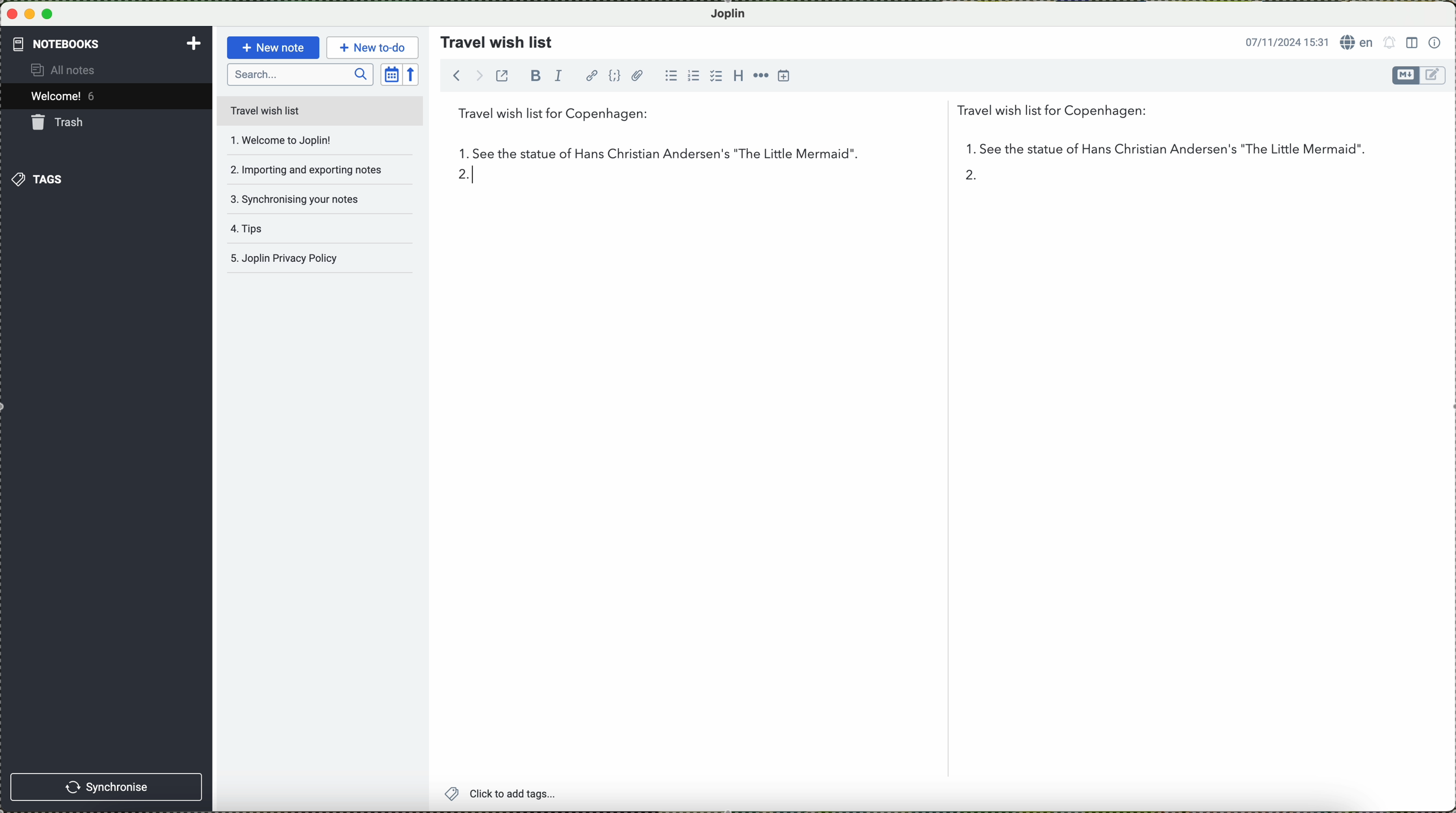 This screenshot has height=813, width=1456. What do you see at coordinates (107, 44) in the screenshot?
I see `notebooks tab` at bounding box center [107, 44].